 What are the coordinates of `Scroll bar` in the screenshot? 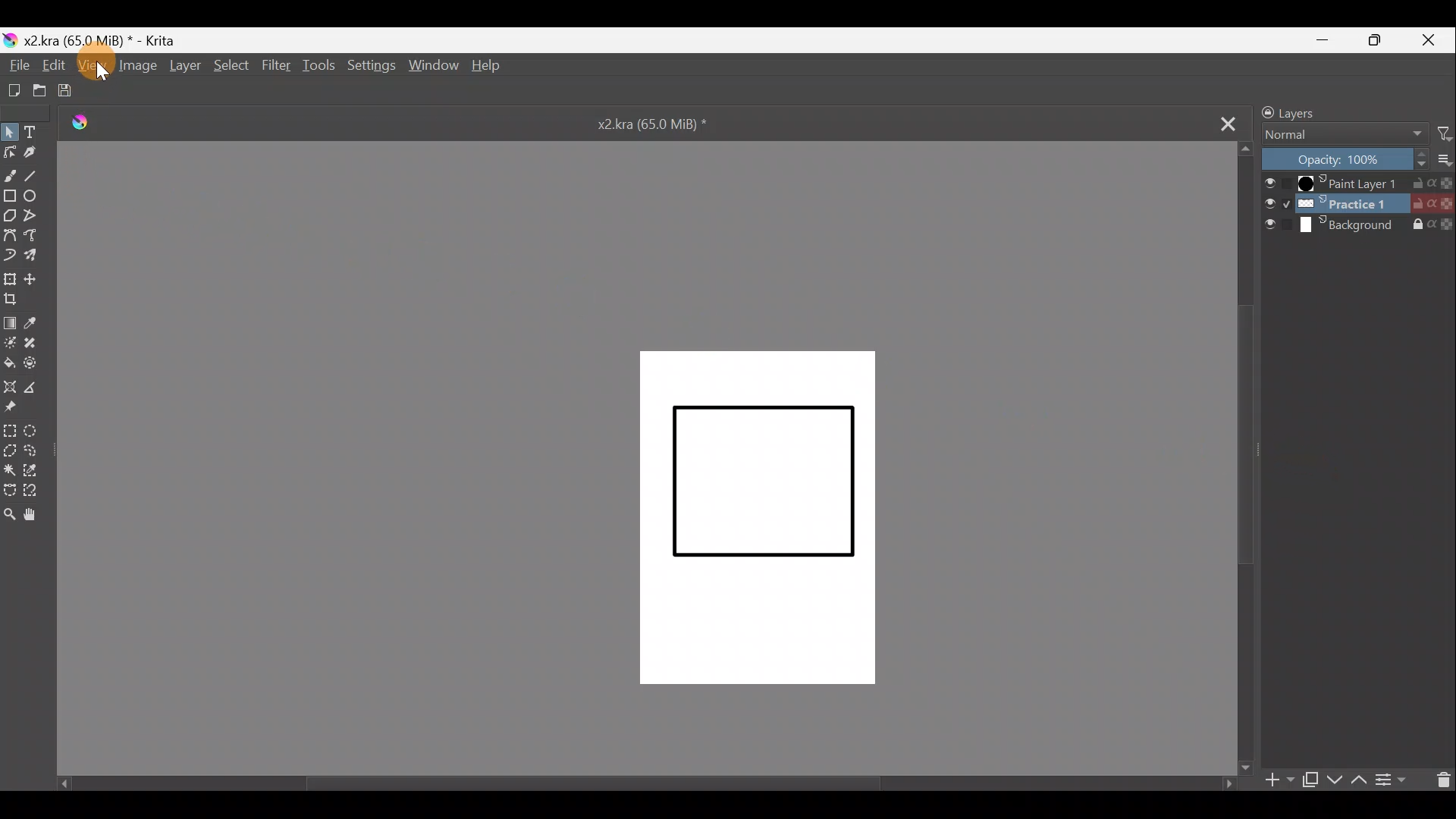 It's located at (1245, 460).